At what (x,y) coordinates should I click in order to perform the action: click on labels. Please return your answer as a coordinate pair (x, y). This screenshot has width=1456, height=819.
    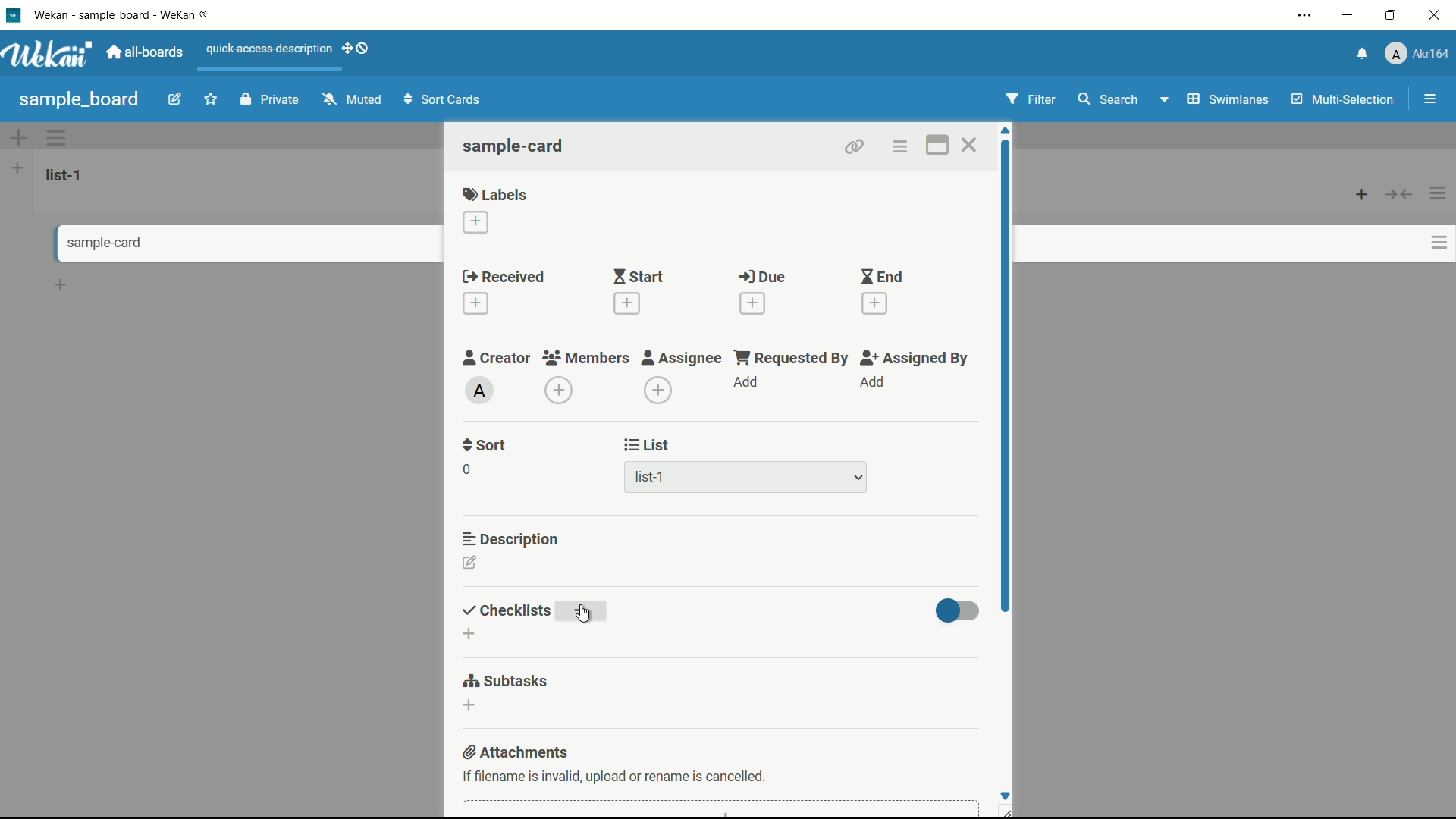
    Looking at the image, I should click on (495, 193).